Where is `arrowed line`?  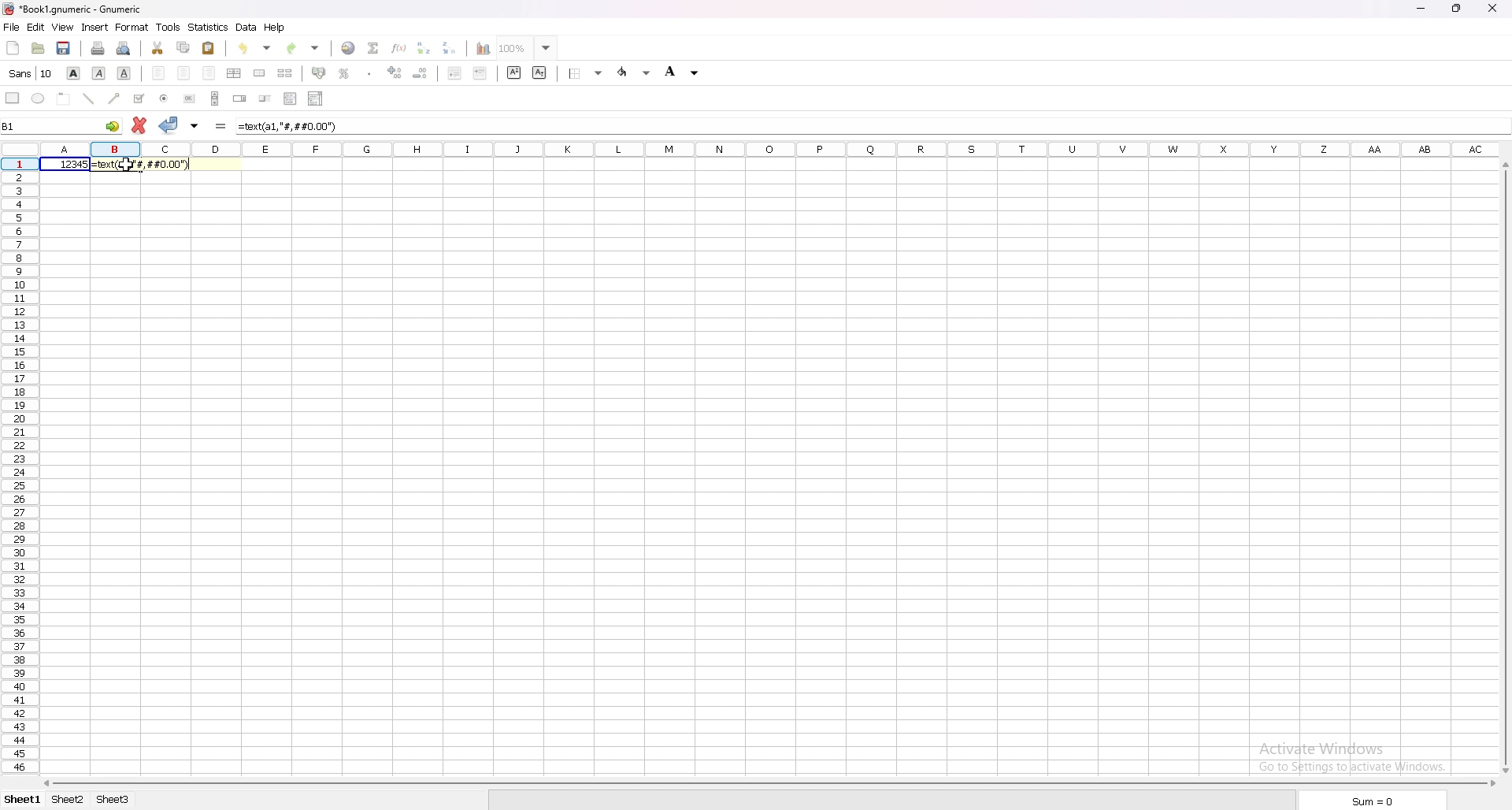
arrowed line is located at coordinates (116, 98).